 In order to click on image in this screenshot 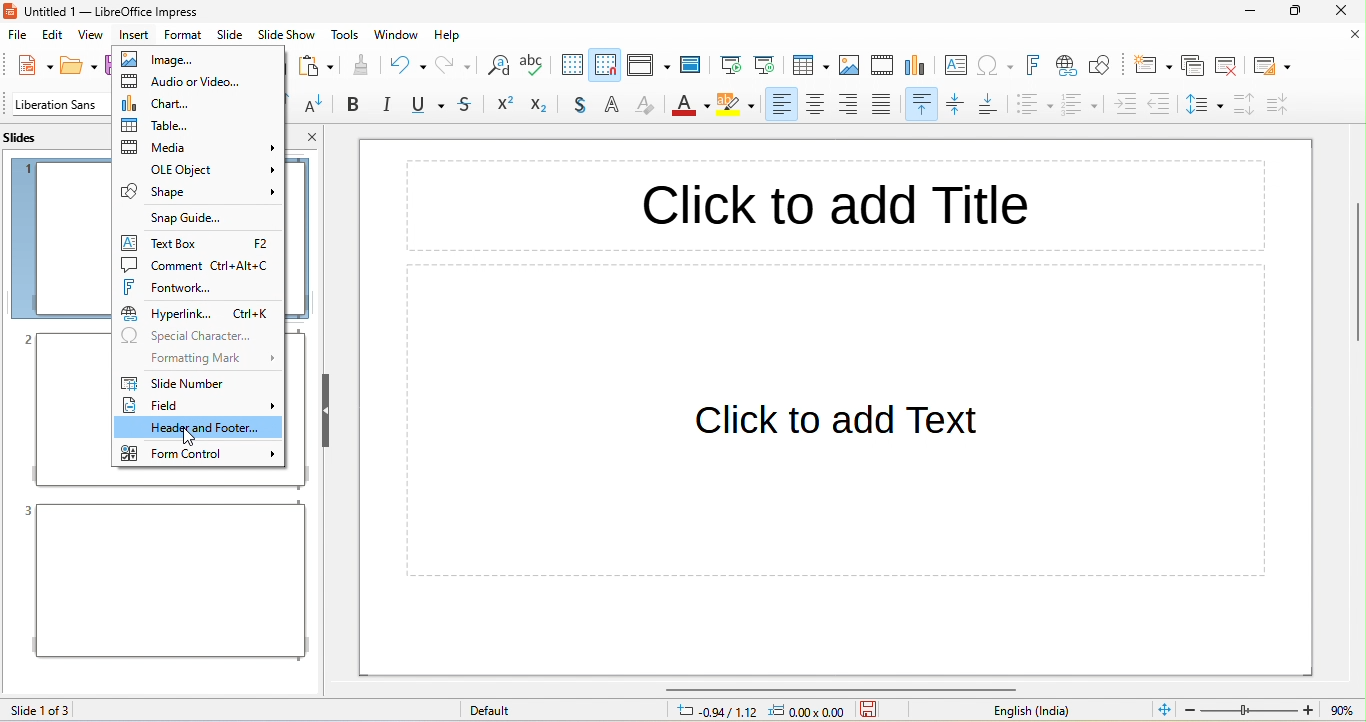, I will do `click(851, 66)`.